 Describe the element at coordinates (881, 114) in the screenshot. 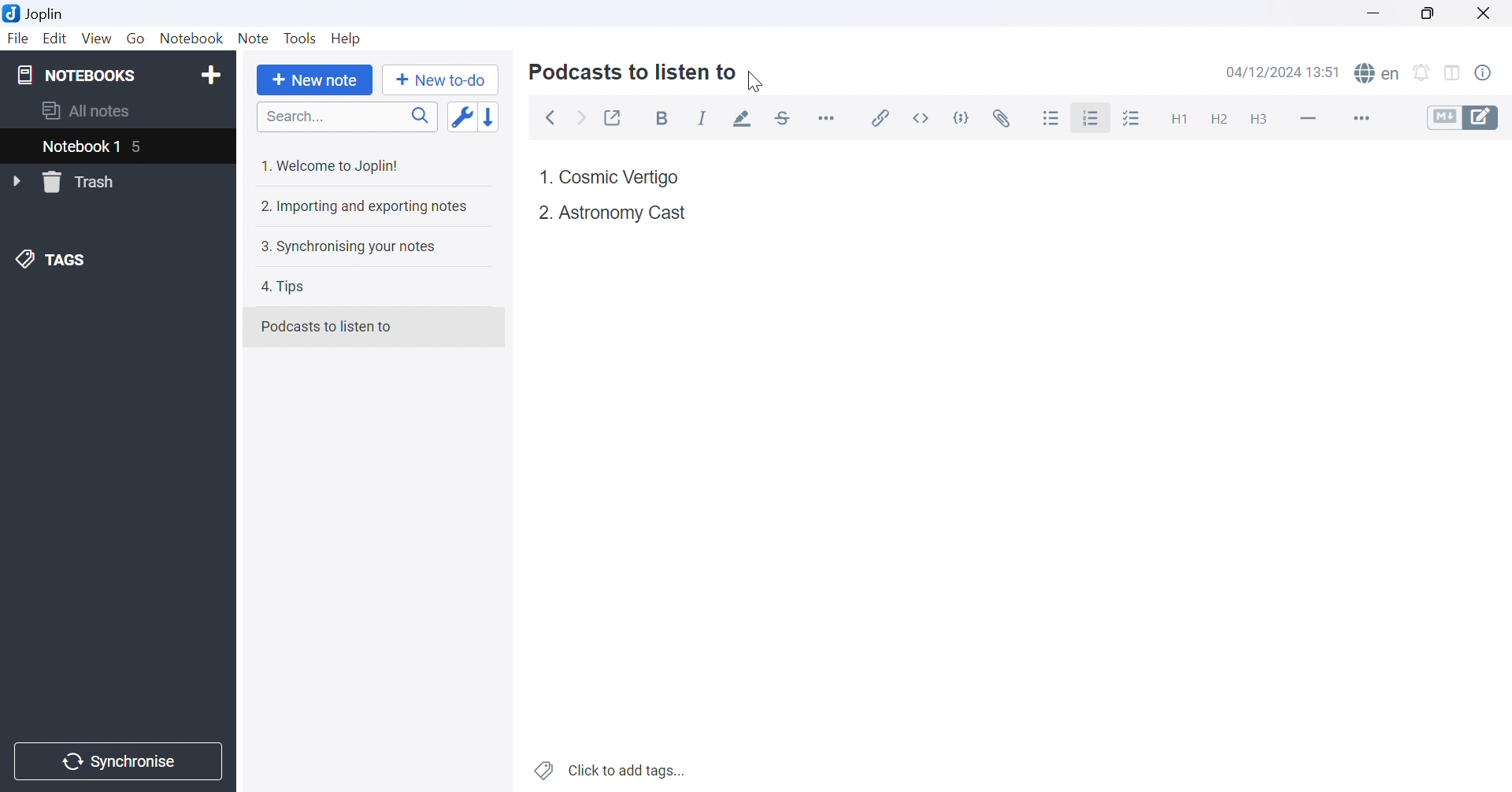

I see `Insert / edit code` at that location.